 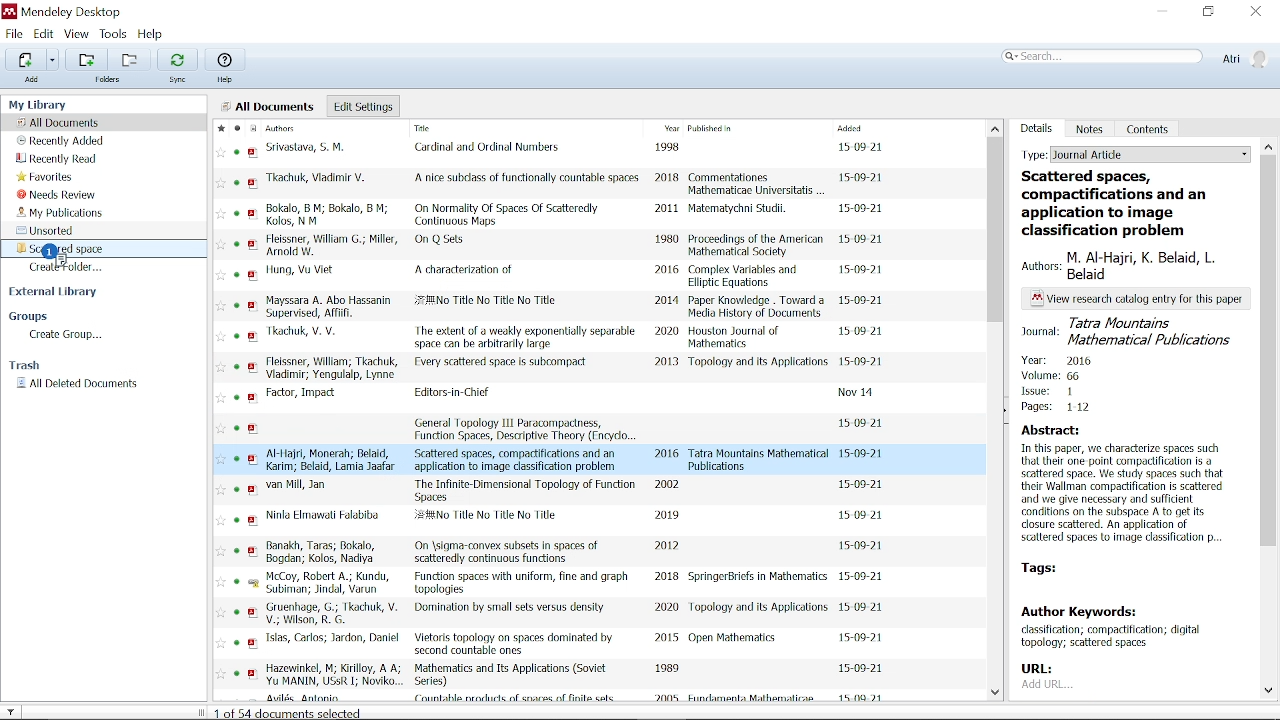 What do you see at coordinates (758, 307) in the screenshot?
I see `Paper Knowledge . Toward a
Media History of Documents.` at bounding box center [758, 307].